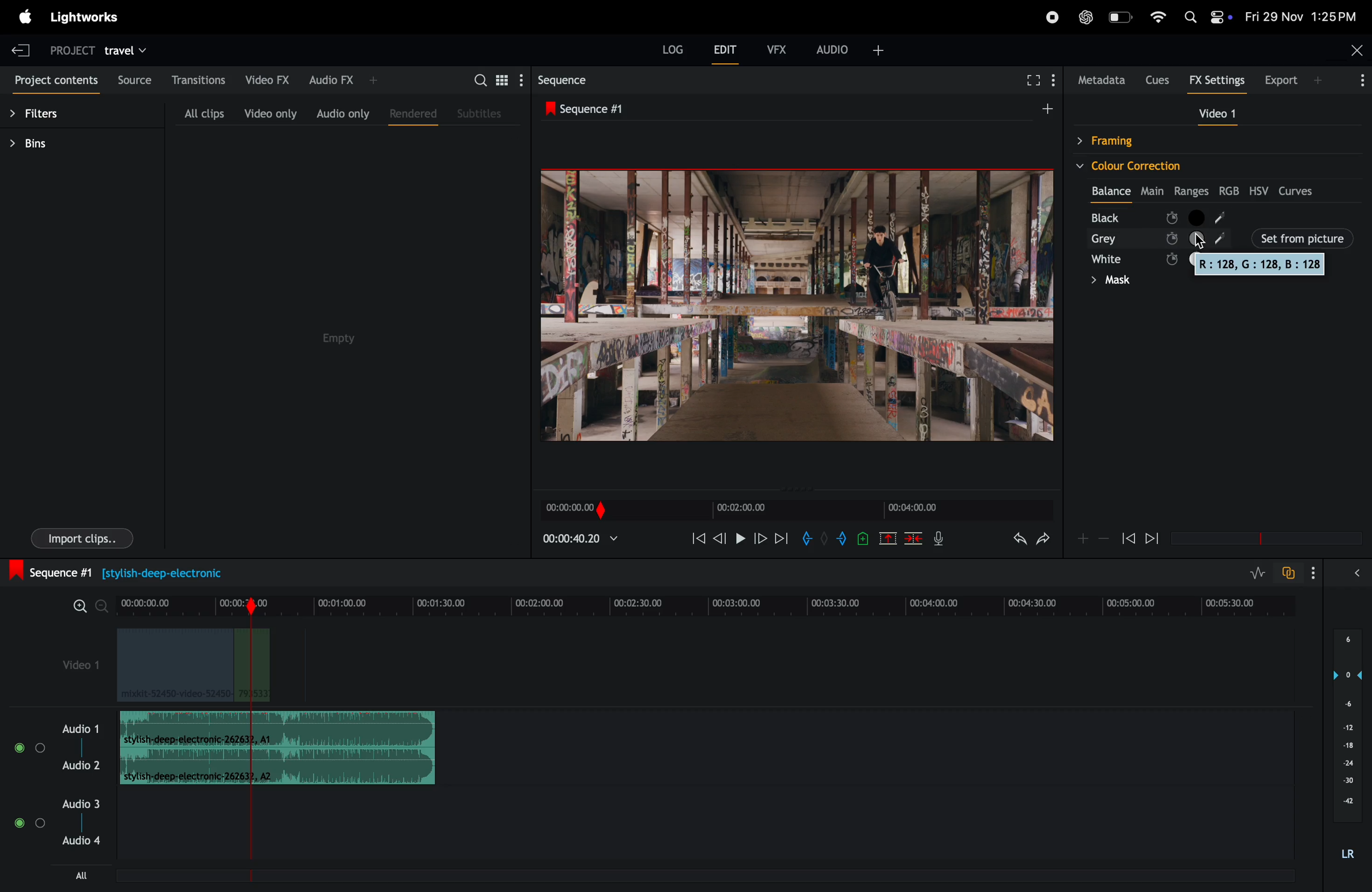 The height and width of the screenshot is (892, 1372). I want to click on redo, so click(1046, 538).